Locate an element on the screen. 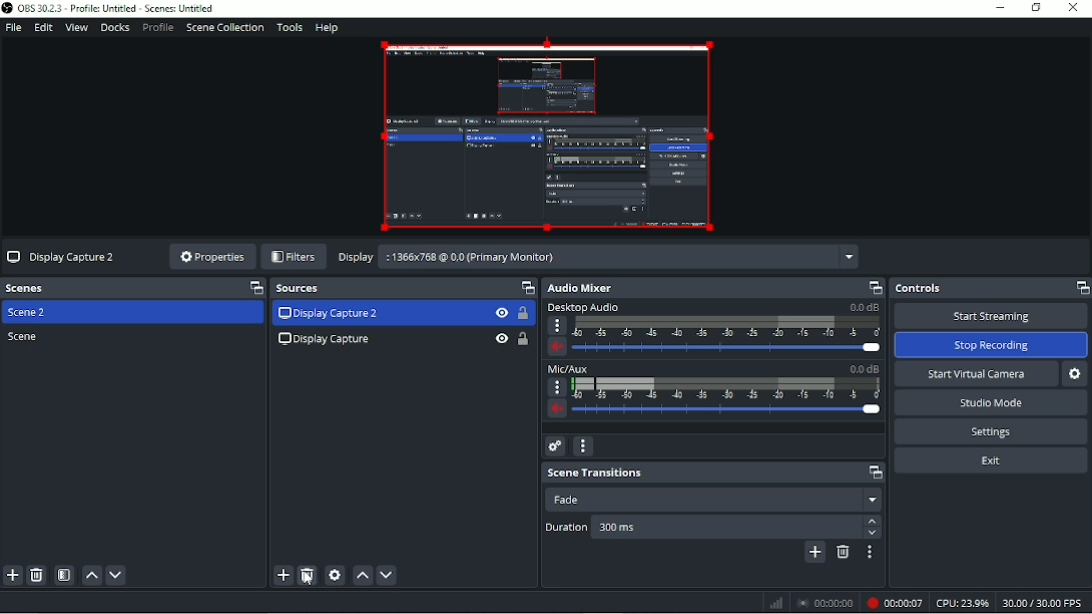 This screenshot has width=1092, height=614. Scenes is located at coordinates (133, 288).